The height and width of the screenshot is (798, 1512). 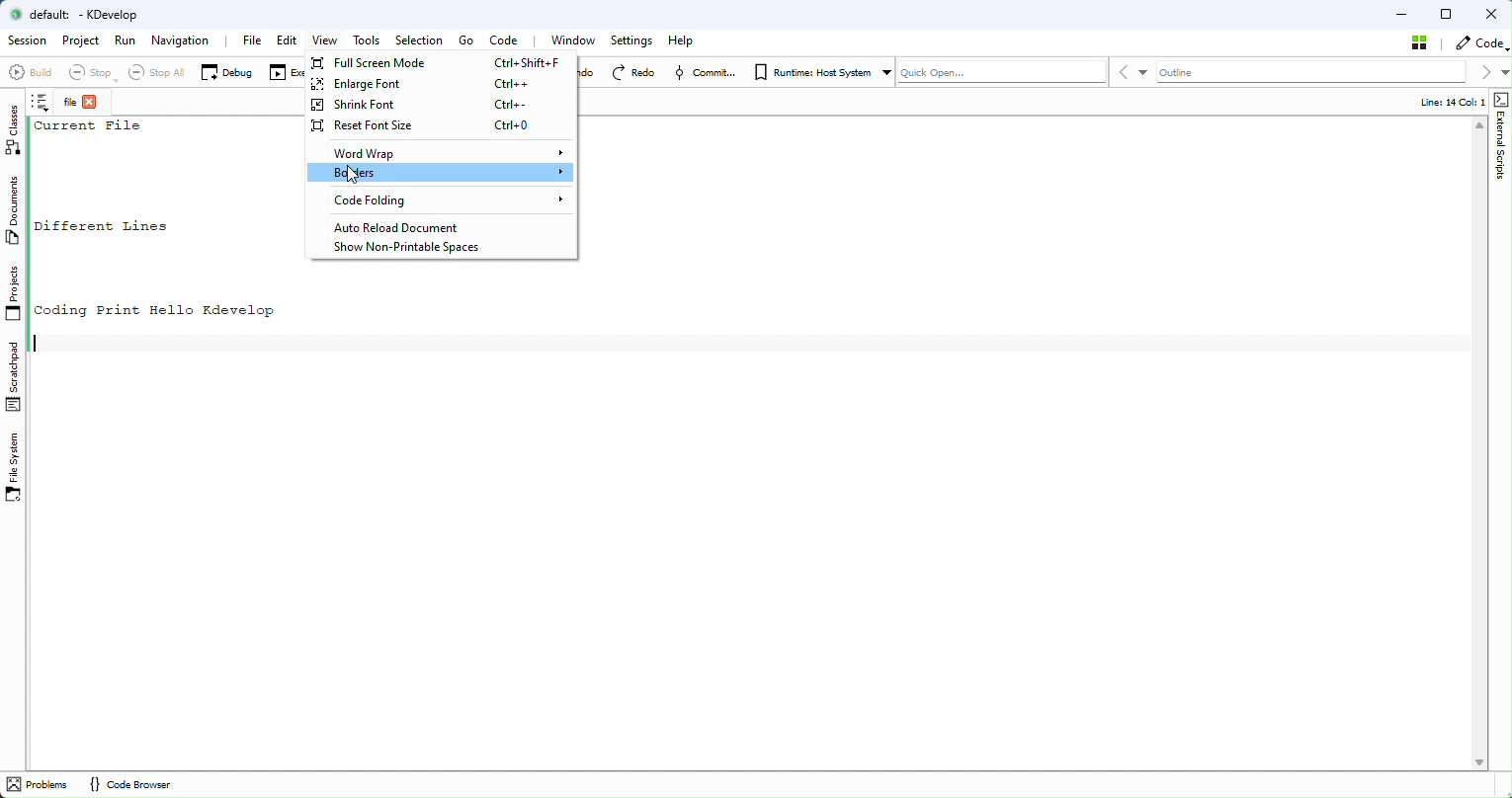 I want to click on default KDevelop, so click(x=82, y=15).